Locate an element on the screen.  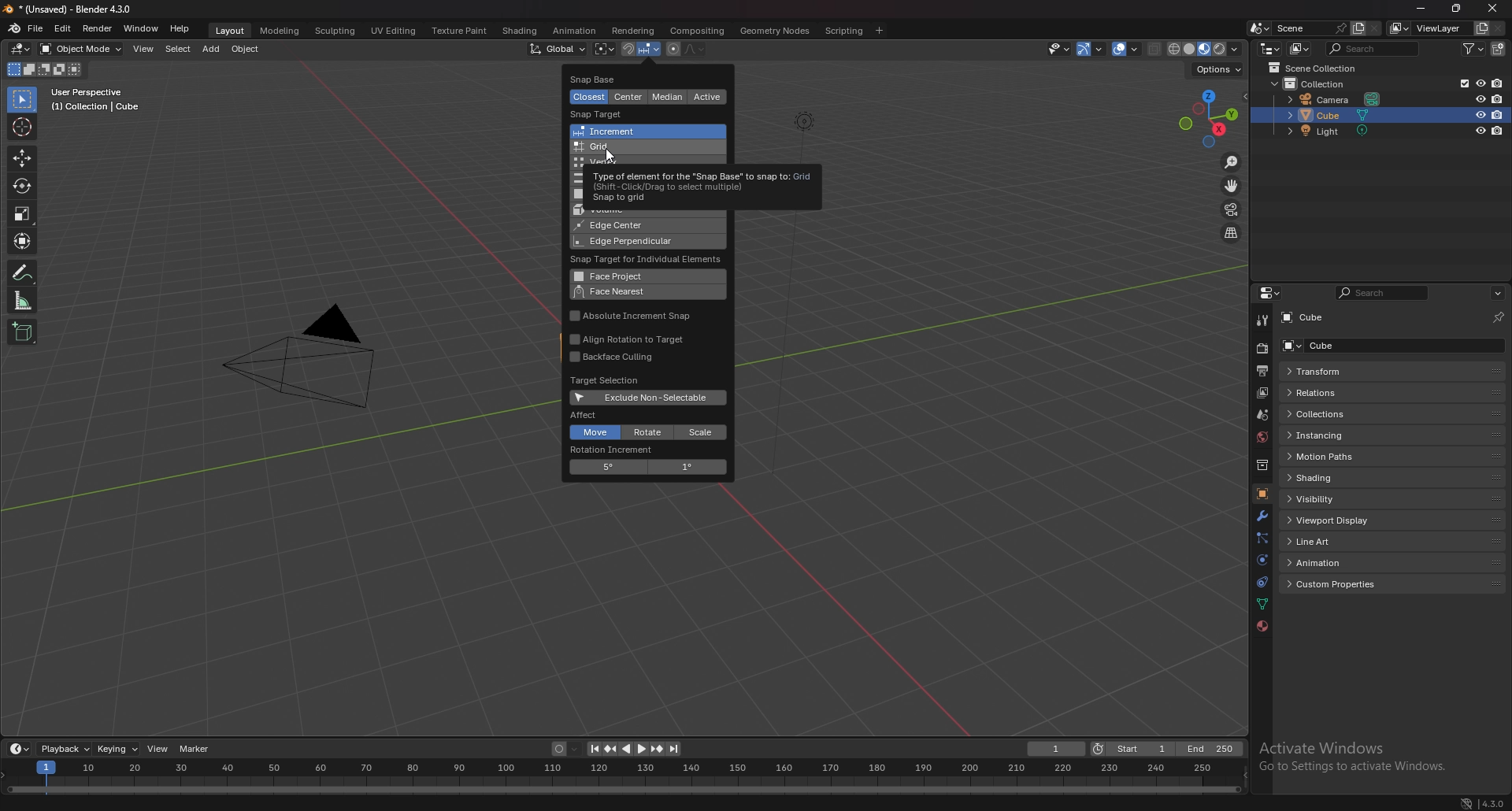
annotate is located at coordinates (23, 272).